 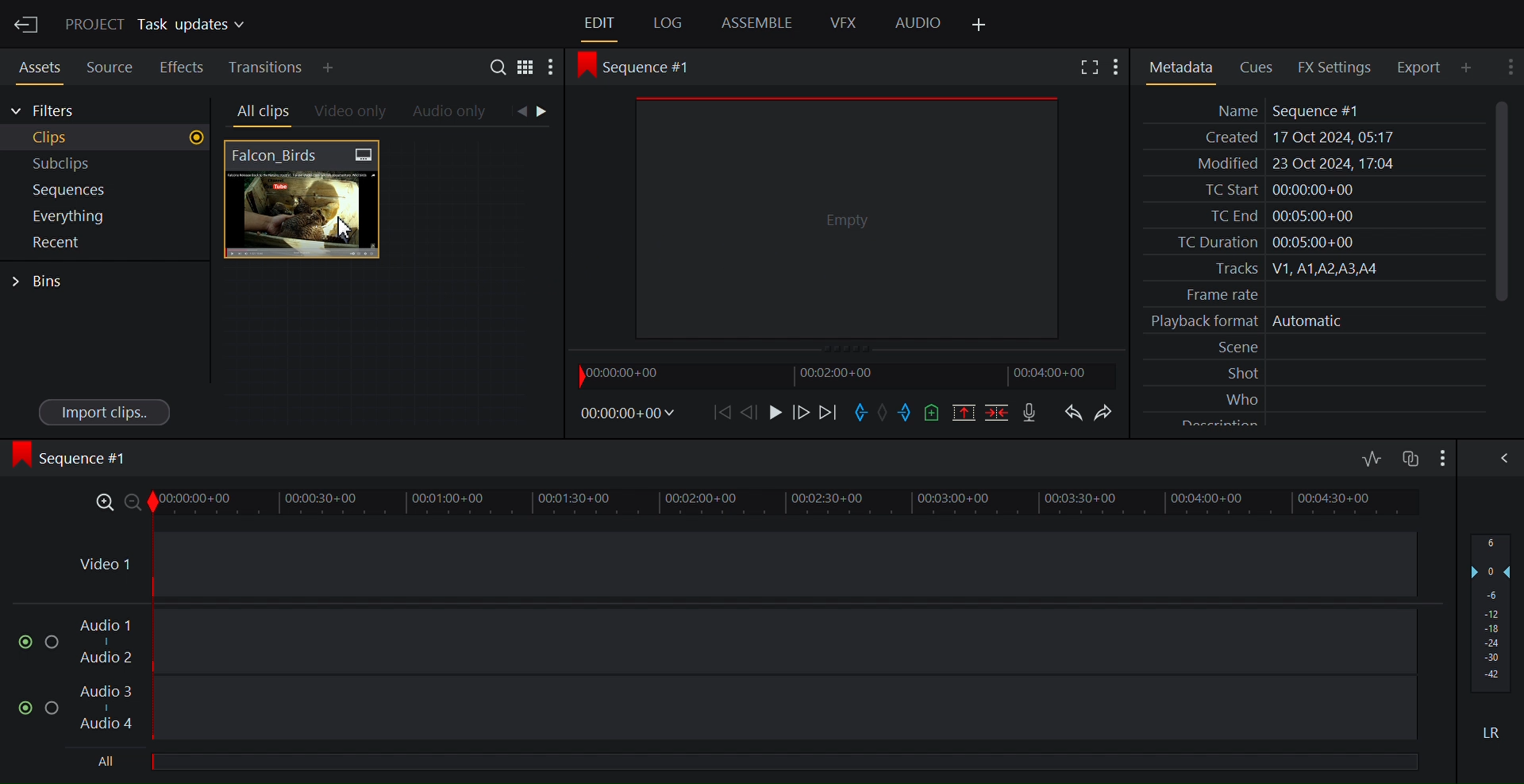 What do you see at coordinates (752, 413) in the screenshot?
I see `Nudge one frame forward` at bounding box center [752, 413].